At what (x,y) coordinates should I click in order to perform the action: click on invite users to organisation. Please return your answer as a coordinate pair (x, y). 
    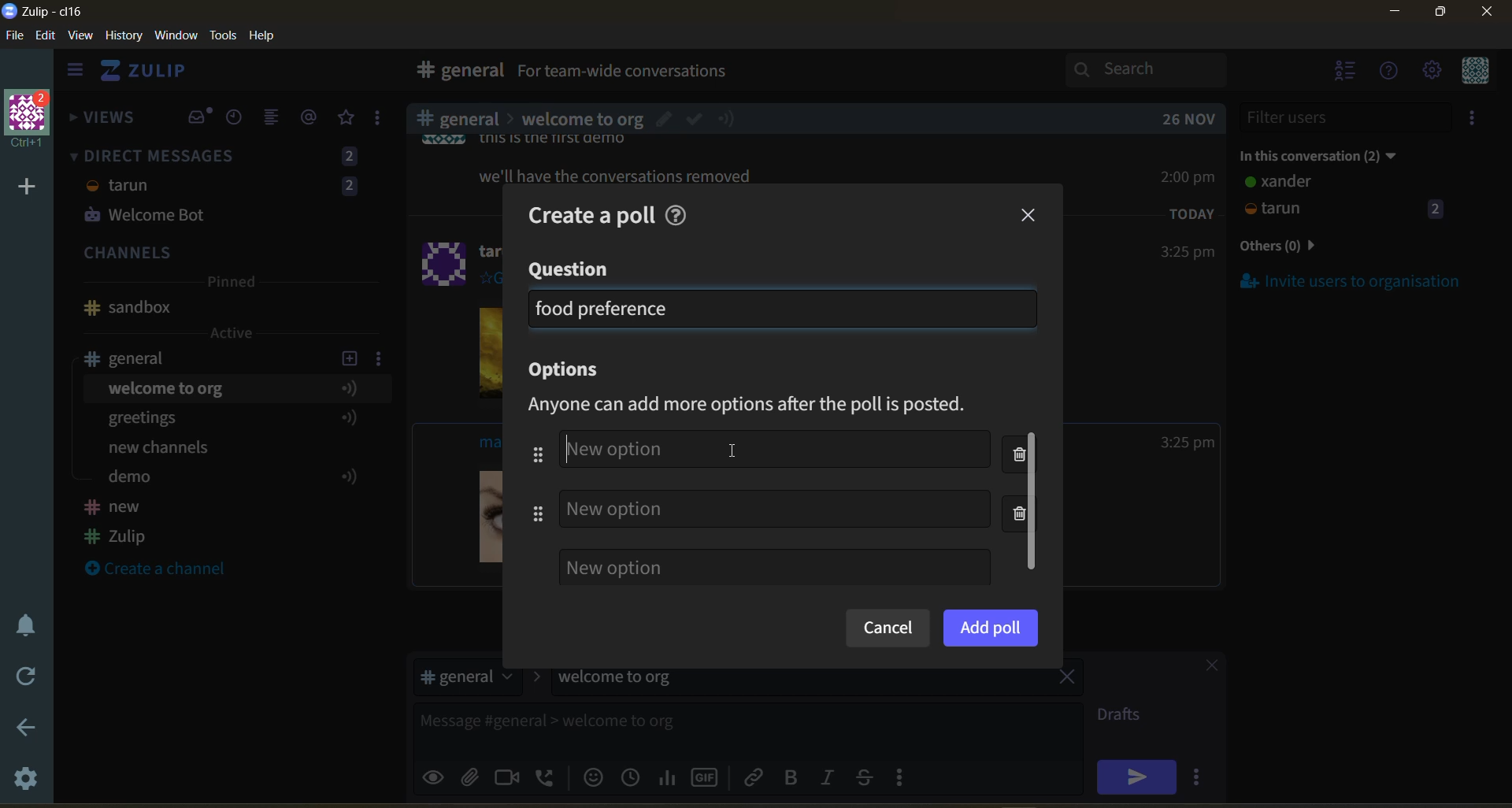
    Looking at the image, I should click on (1475, 120).